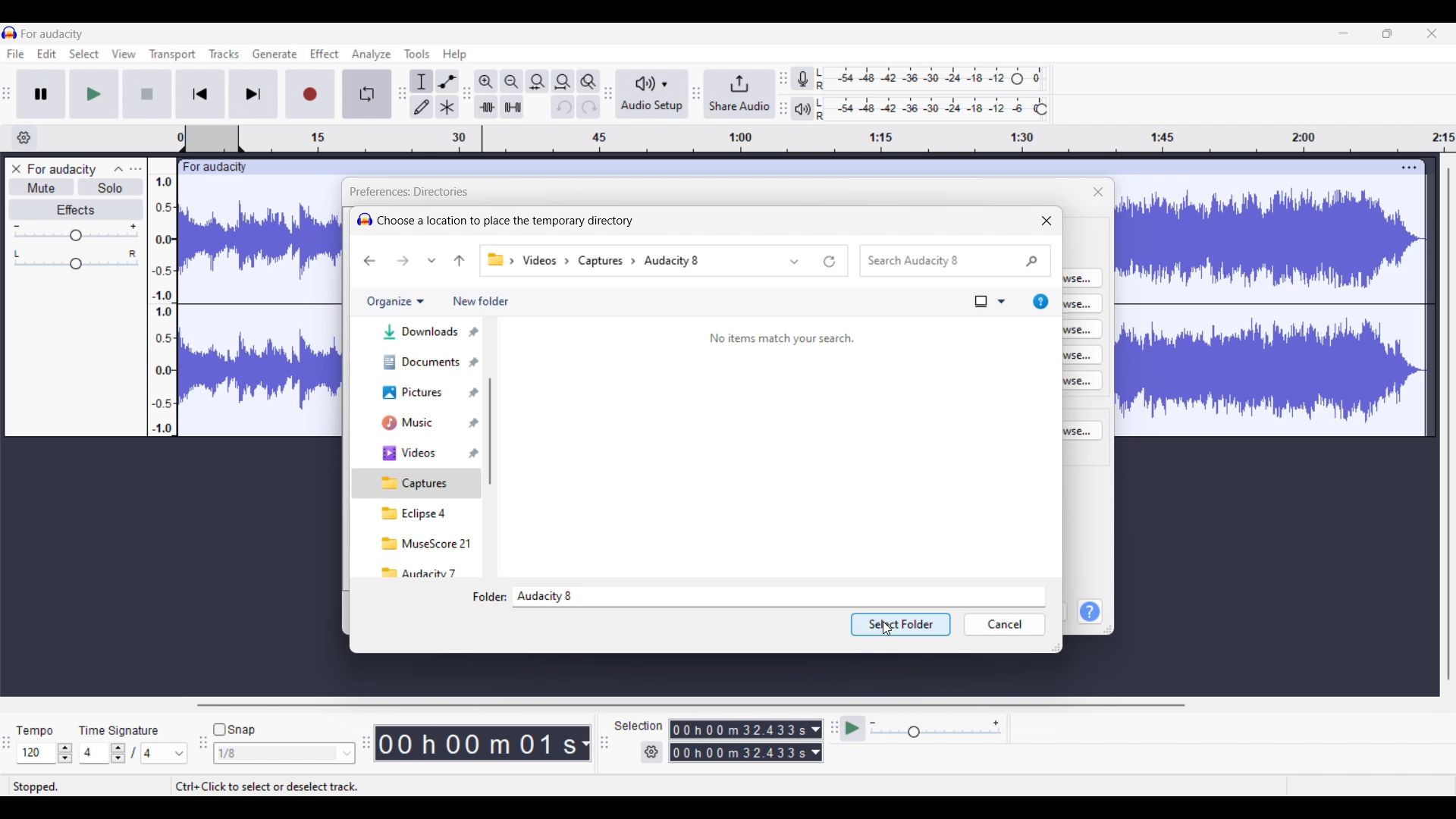 Image resolution: width=1456 pixels, height=819 pixels. What do you see at coordinates (224, 54) in the screenshot?
I see `Tracks menu` at bounding box center [224, 54].